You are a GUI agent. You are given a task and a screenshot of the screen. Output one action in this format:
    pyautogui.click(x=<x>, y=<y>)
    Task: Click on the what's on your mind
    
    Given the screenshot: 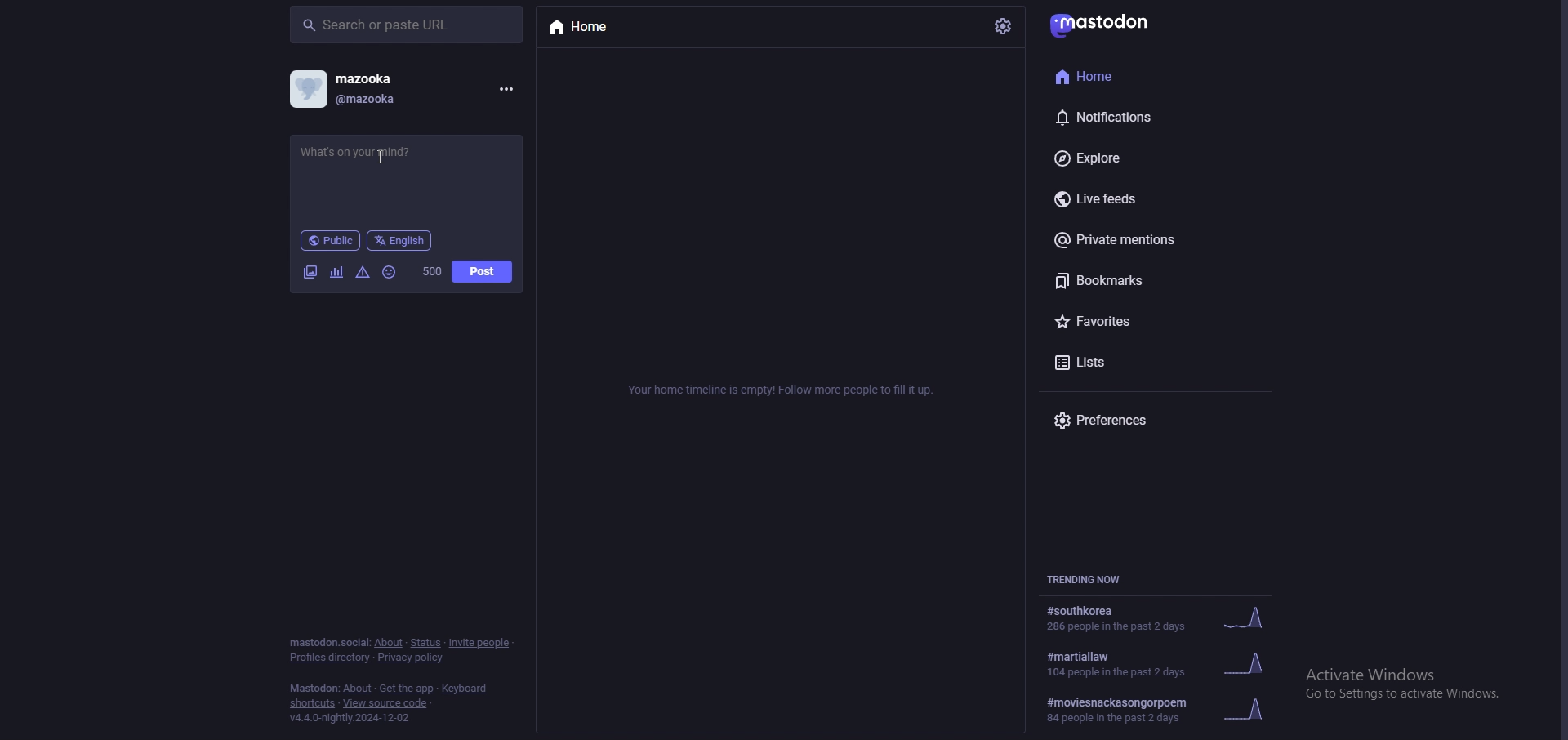 What is the action you would take?
    pyautogui.click(x=399, y=167)
    